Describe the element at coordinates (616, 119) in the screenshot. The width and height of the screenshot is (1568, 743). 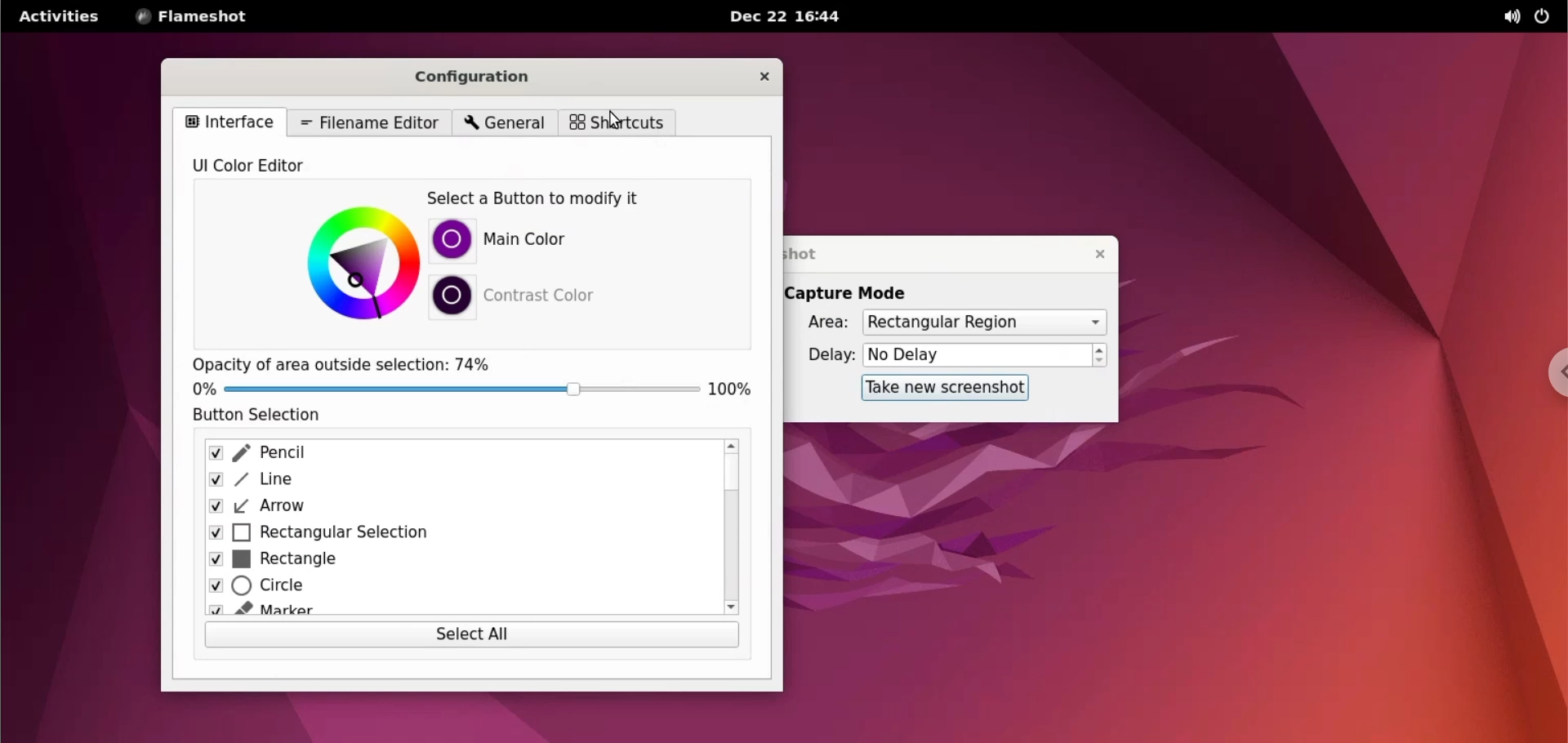
I see `cursor` at that location.